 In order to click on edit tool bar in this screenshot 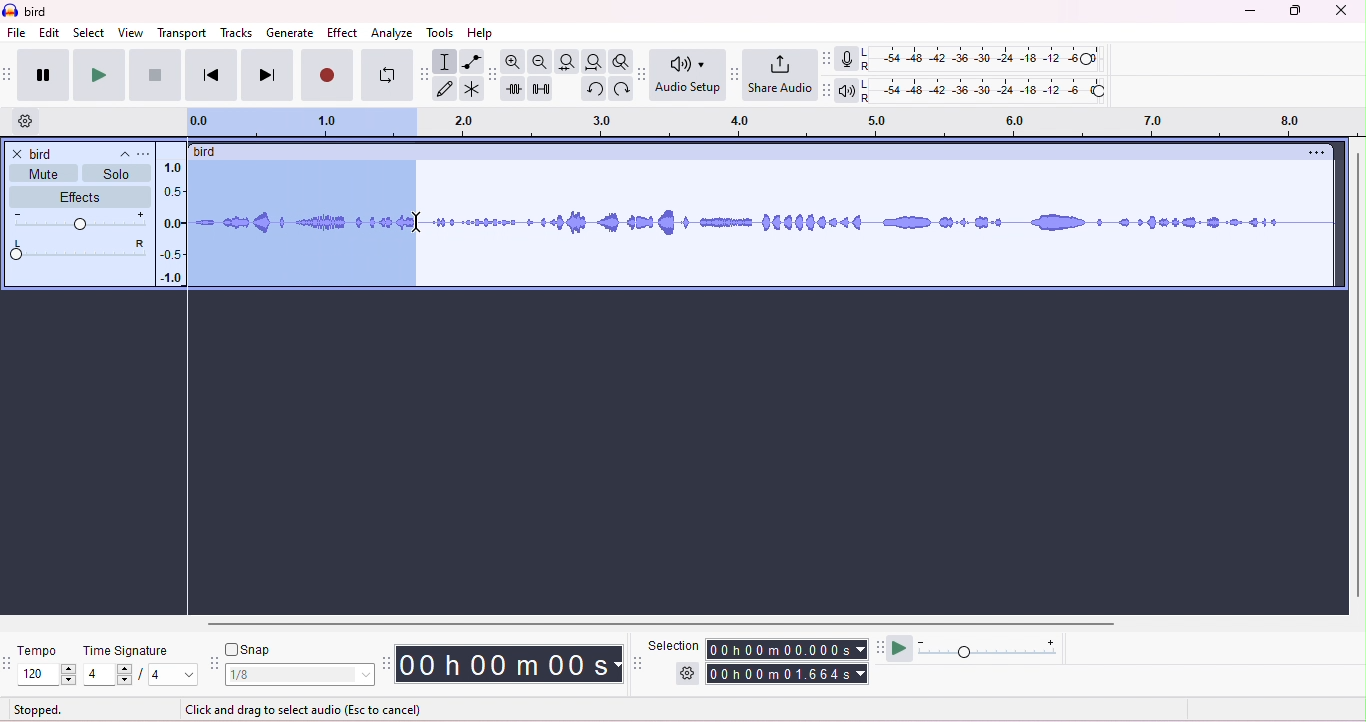, I will do `click(493, 75)`.